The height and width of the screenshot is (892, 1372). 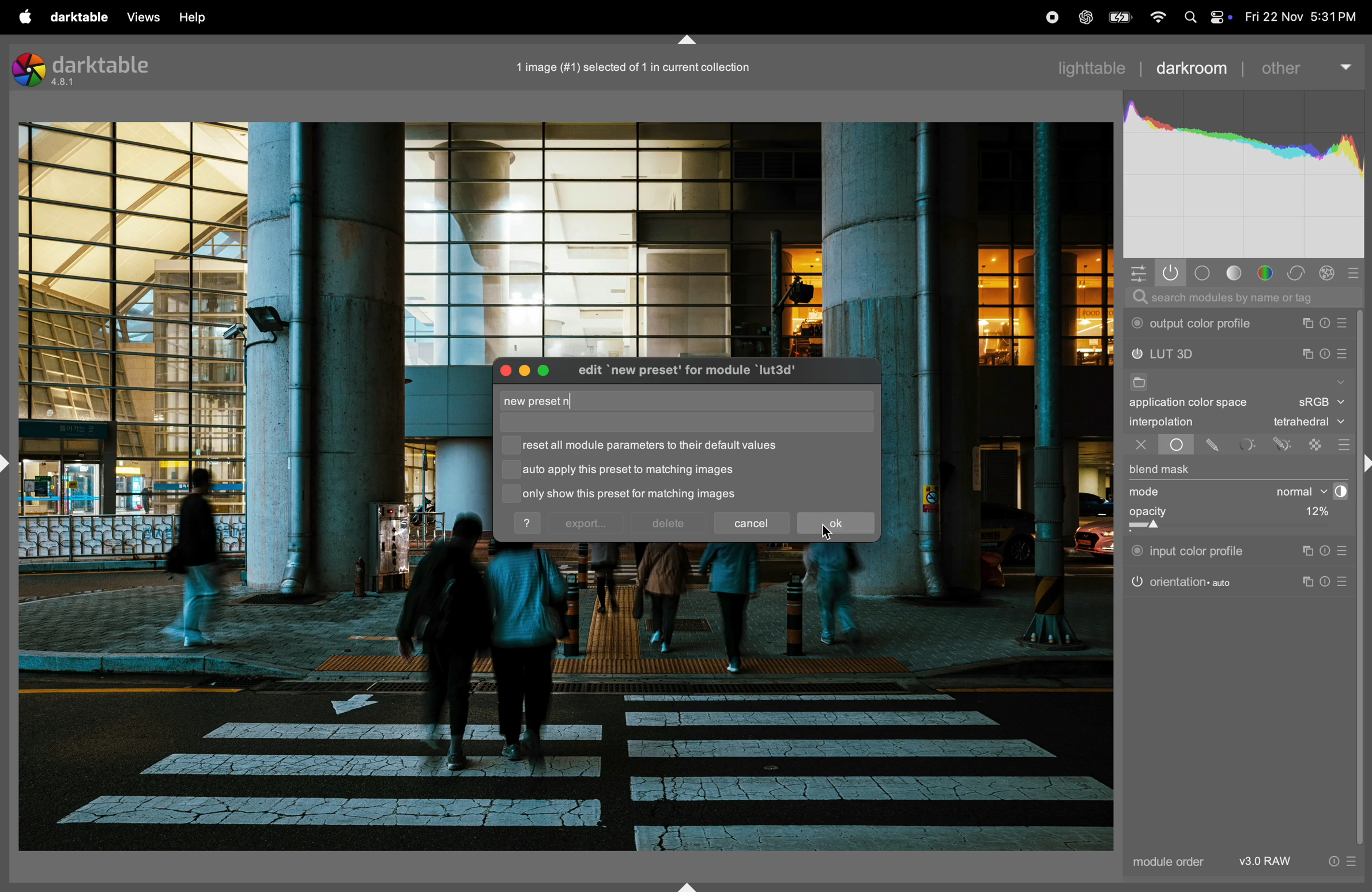 What do you see at coordinates (89, 68) in the screenshot?
I see `darktable version` at bounding box center [89, 68].